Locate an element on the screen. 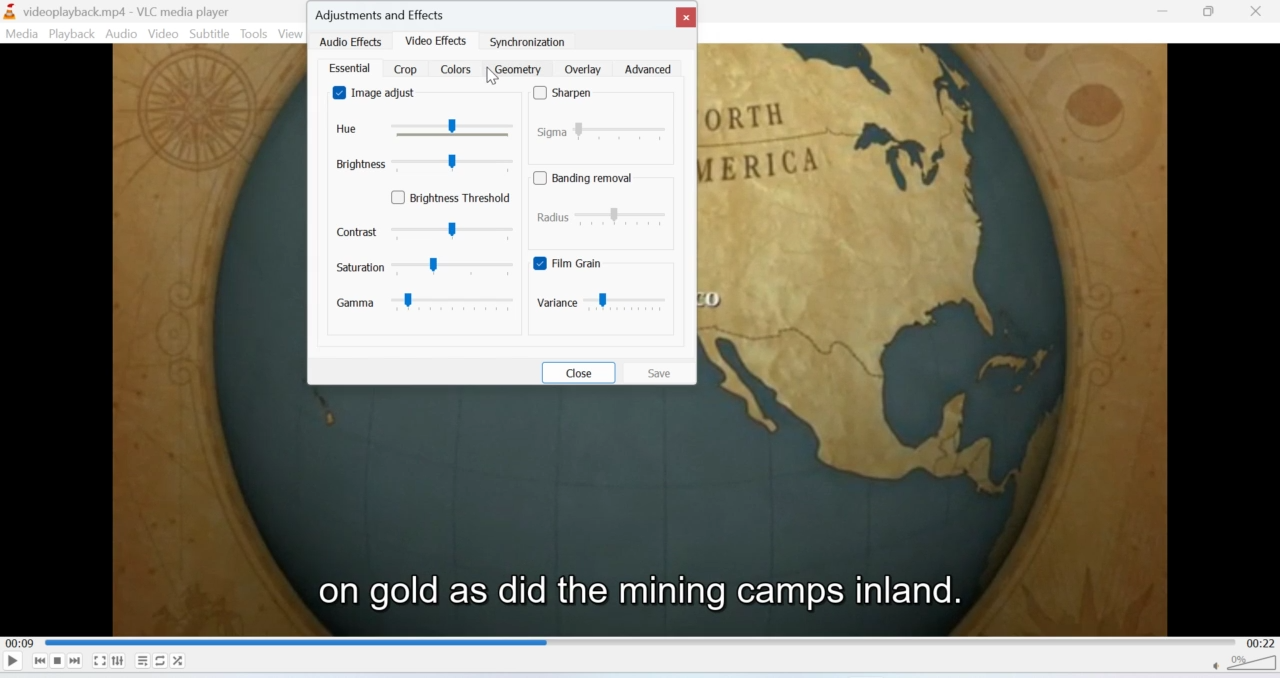 The width and height of the screenshot is (1280, 678). Volume is located at coordinates (1246, 666).